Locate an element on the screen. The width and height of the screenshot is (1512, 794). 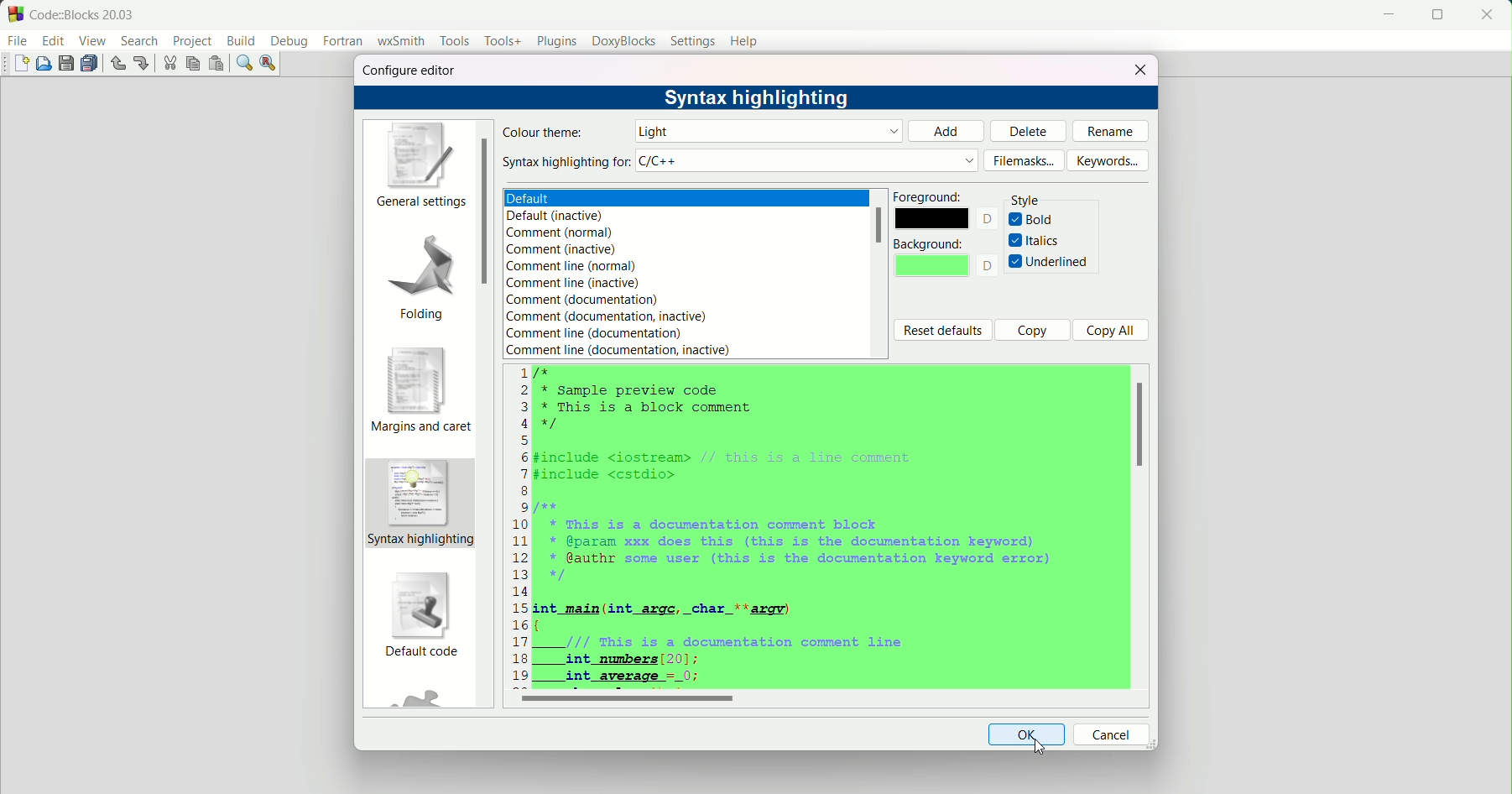
find and replace is located at coordinates (269, 64).